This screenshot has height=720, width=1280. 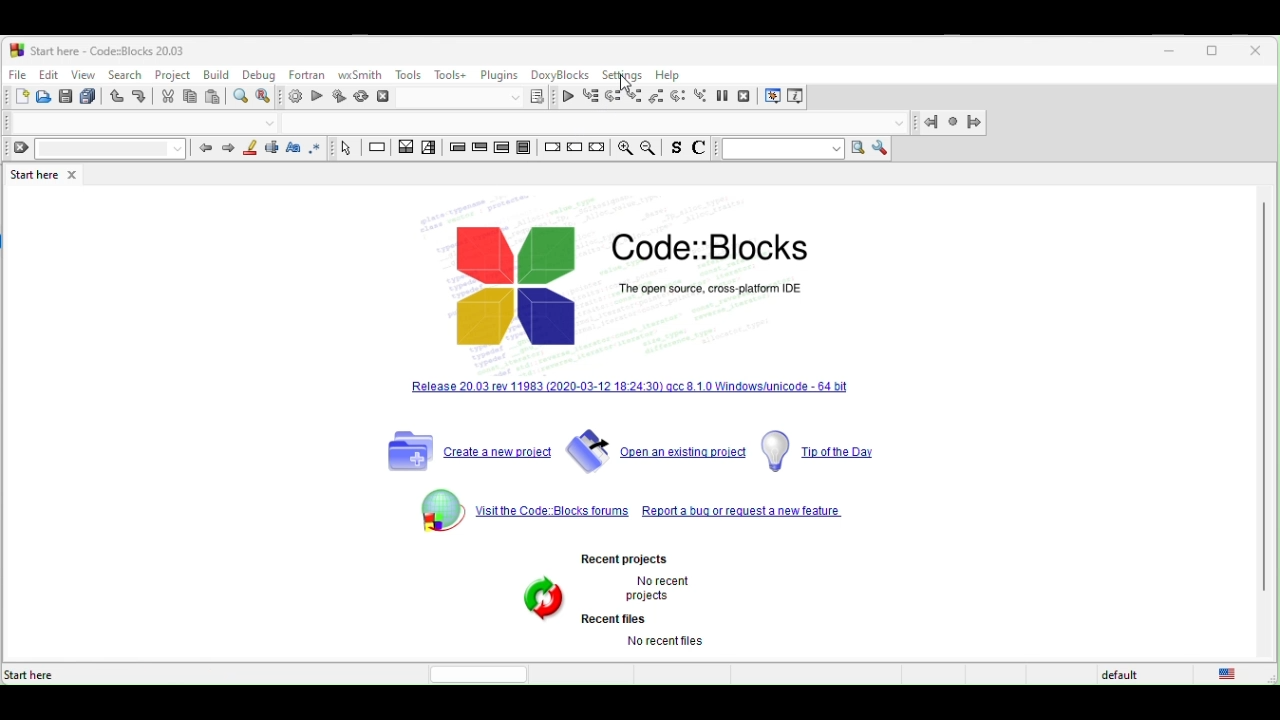 I want to click on entry, so click(x=458, y=148).